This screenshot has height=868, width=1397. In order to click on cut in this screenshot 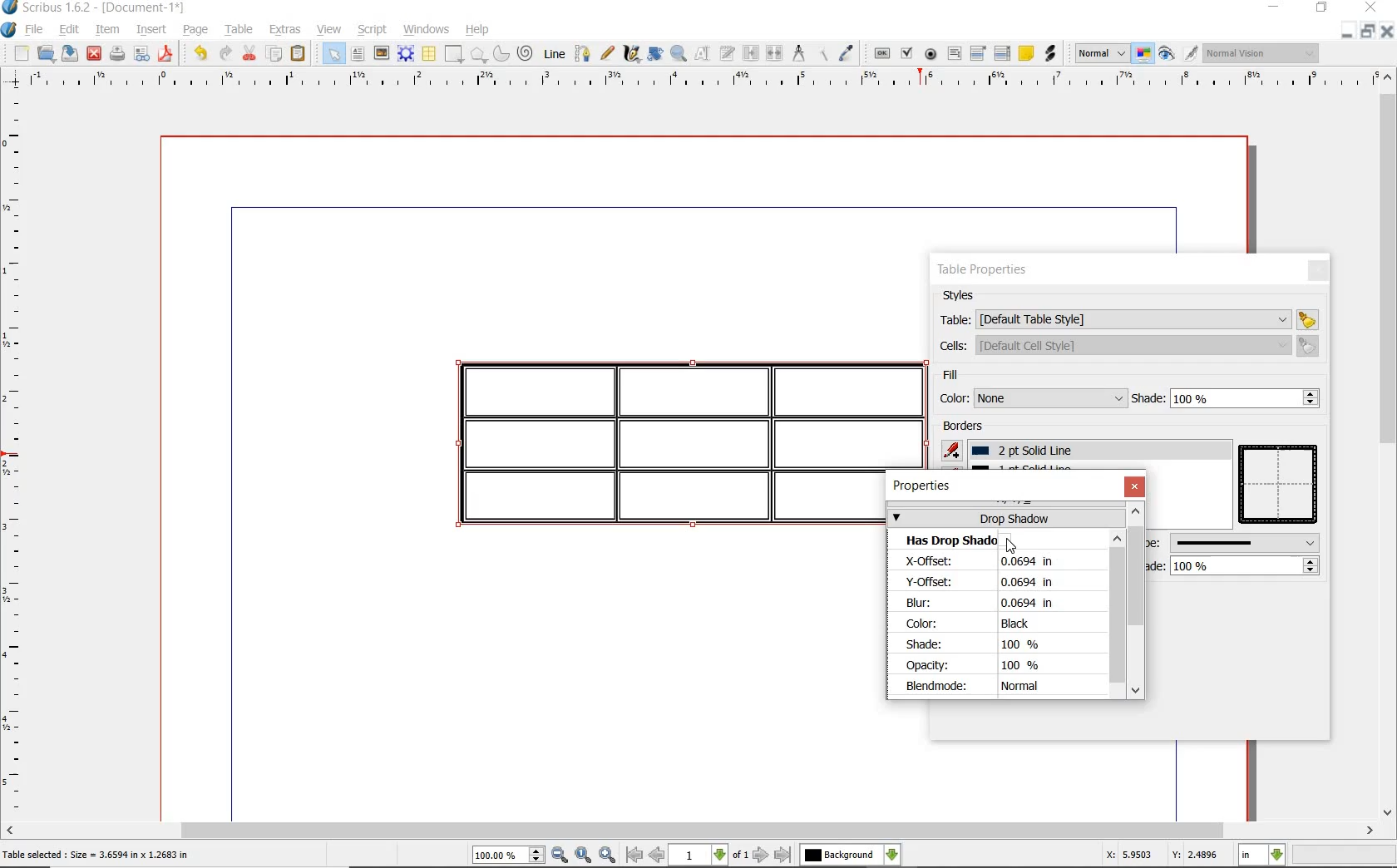, I will do `click(250, 54)`.